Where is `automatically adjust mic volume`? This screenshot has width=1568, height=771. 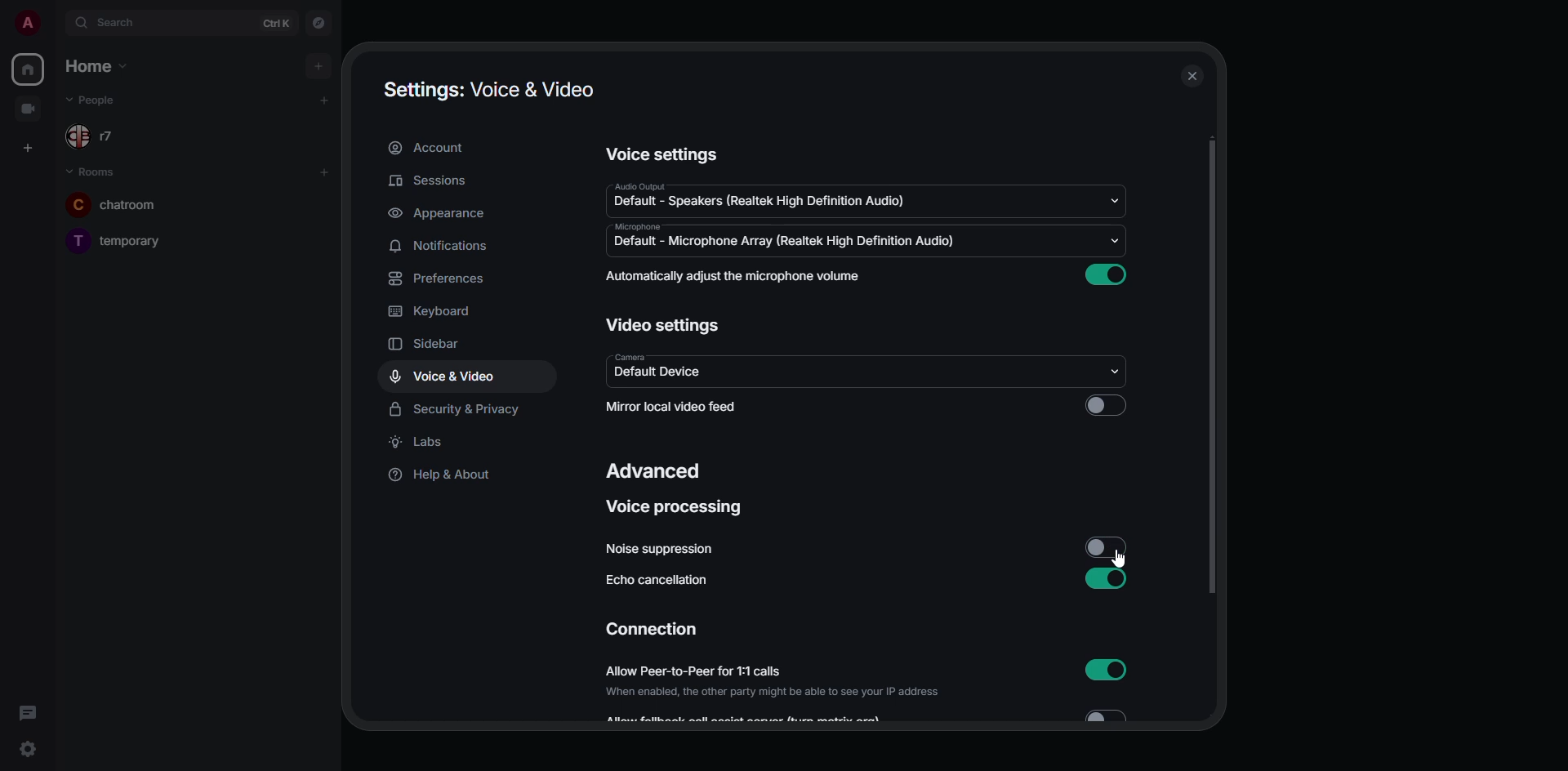
automatically adjust mic volume is located at coordinates (733, 276).